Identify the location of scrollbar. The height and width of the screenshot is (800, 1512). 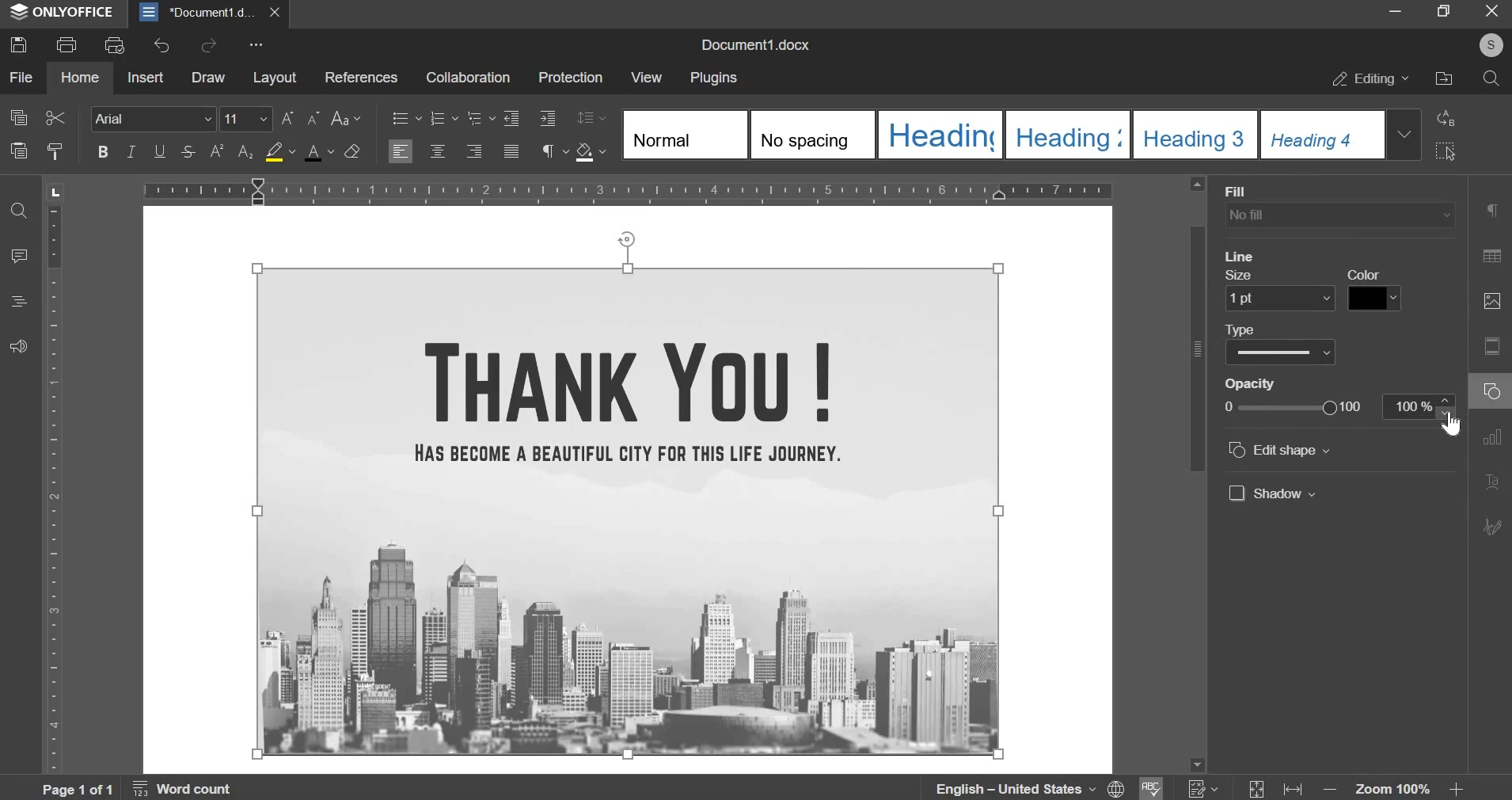
(1195, 471).